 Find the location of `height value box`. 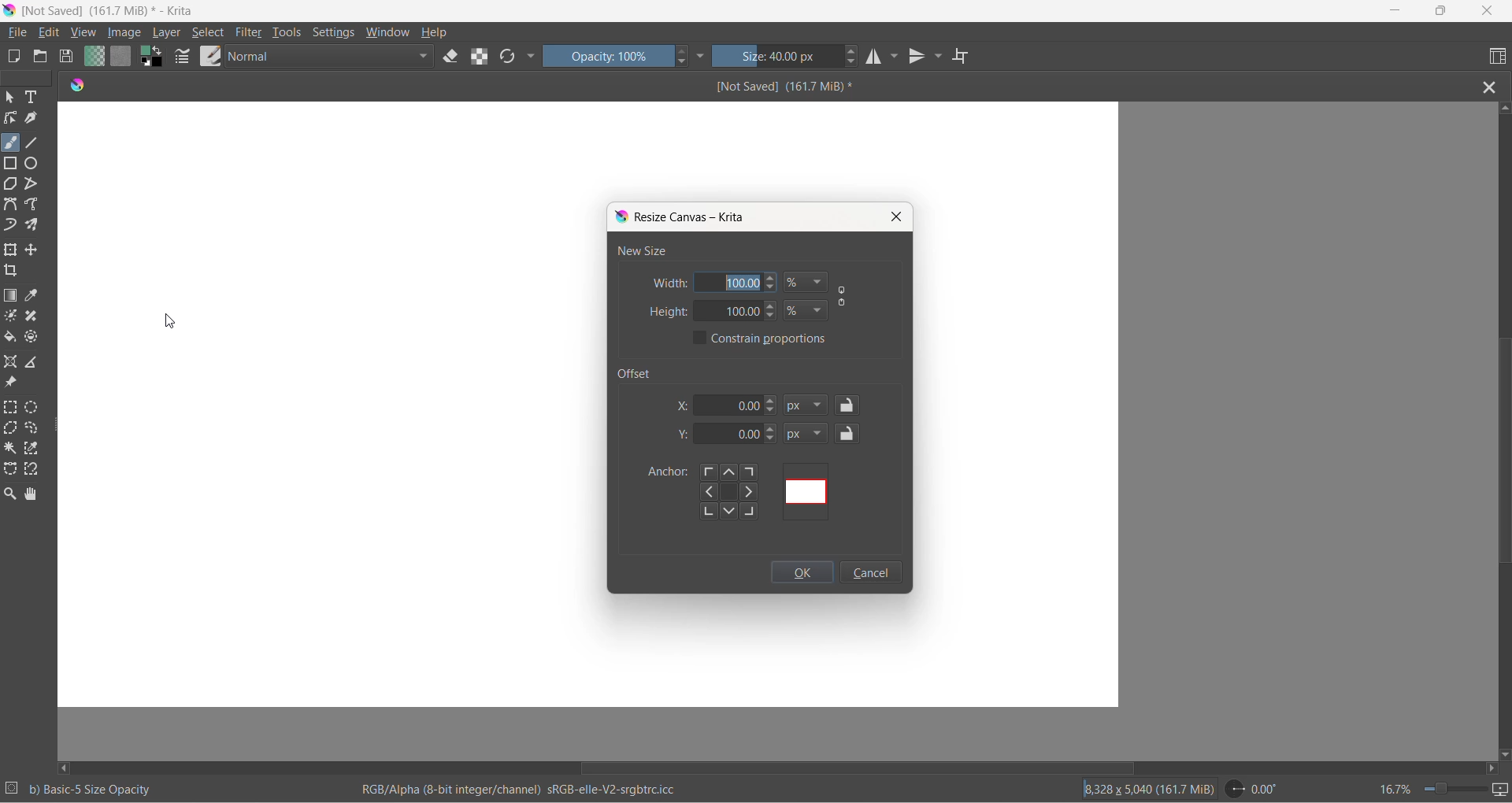

height value box is located at coordinates (729, 312).